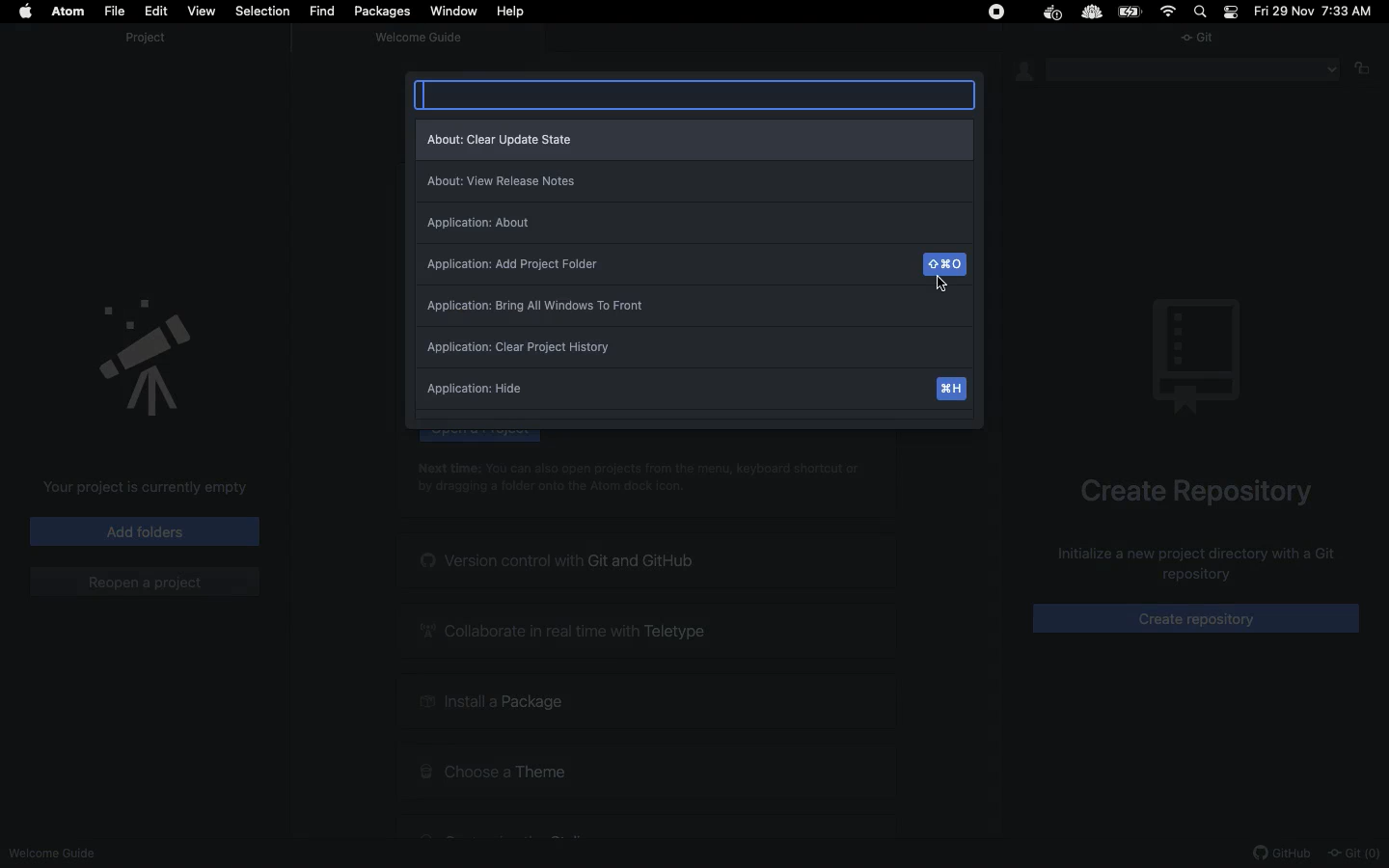 The height and width of the screenshot is (868, 1389). What do you see at coordinates (1044, 14) in the screenshot?
I see `Extensions` at bounding box center [1044, 14].